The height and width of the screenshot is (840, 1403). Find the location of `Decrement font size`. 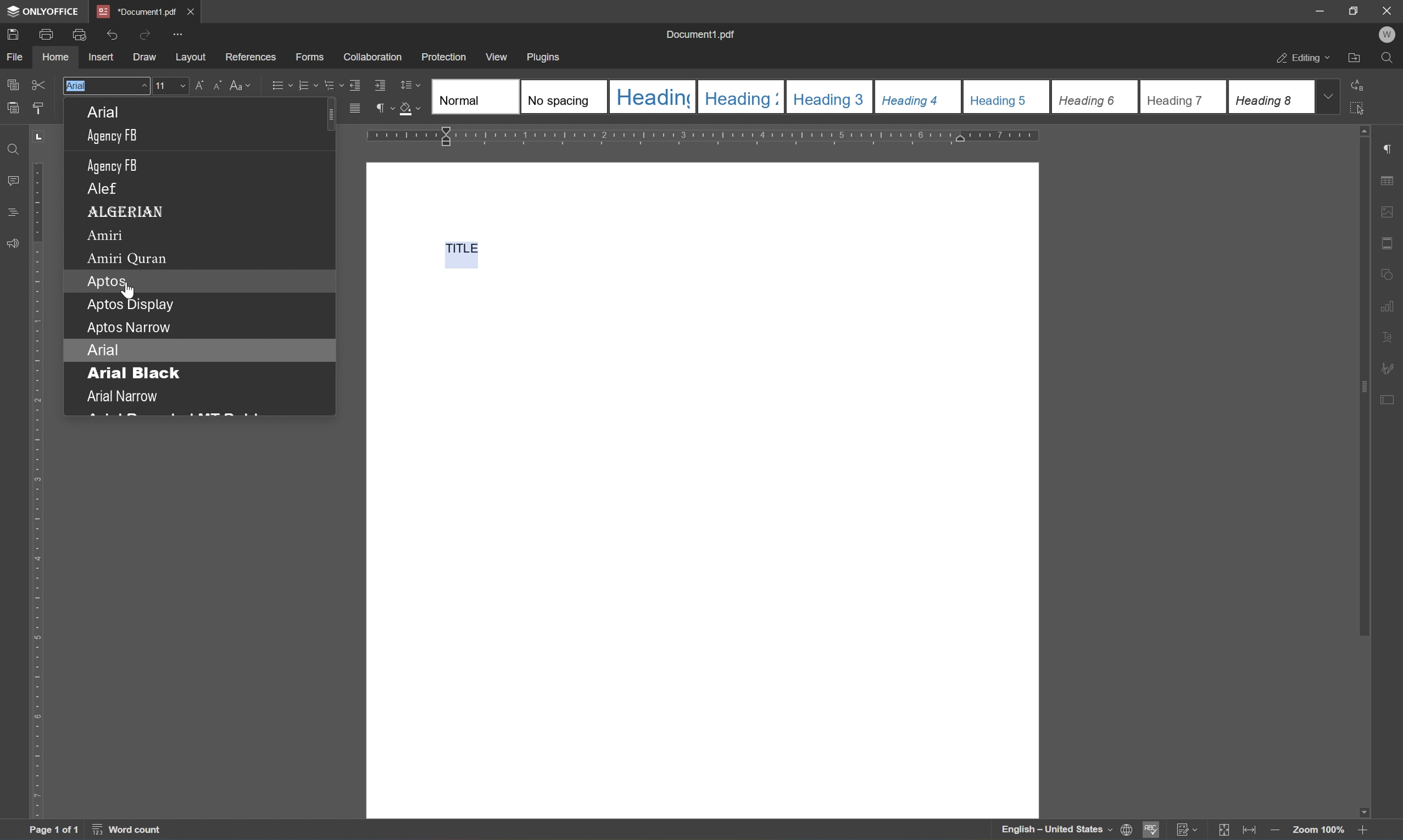

Decrement font size is located at coordinates (217, 86).